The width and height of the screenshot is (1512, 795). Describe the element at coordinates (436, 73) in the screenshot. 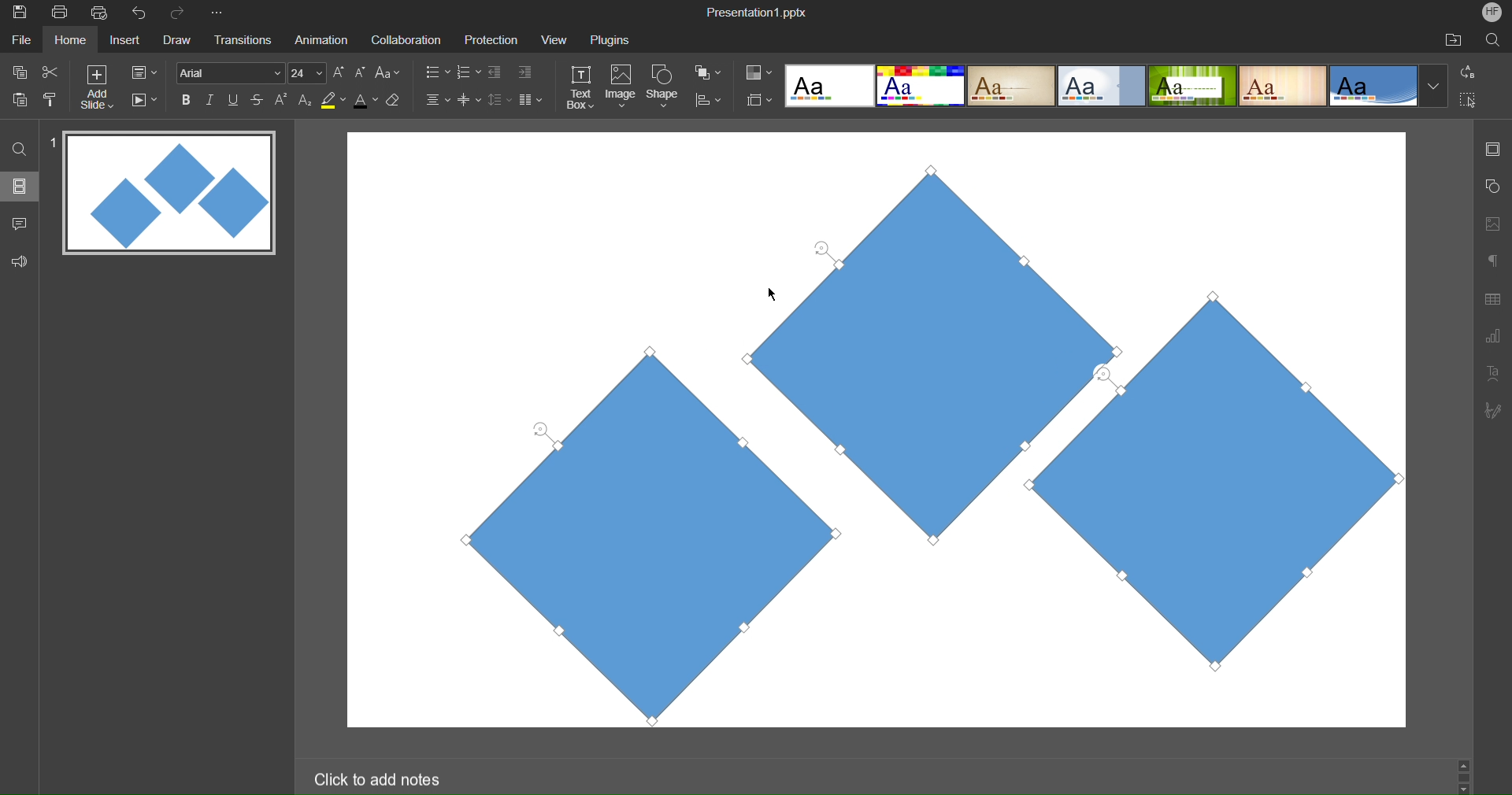

I see `Bullet List` at that location.